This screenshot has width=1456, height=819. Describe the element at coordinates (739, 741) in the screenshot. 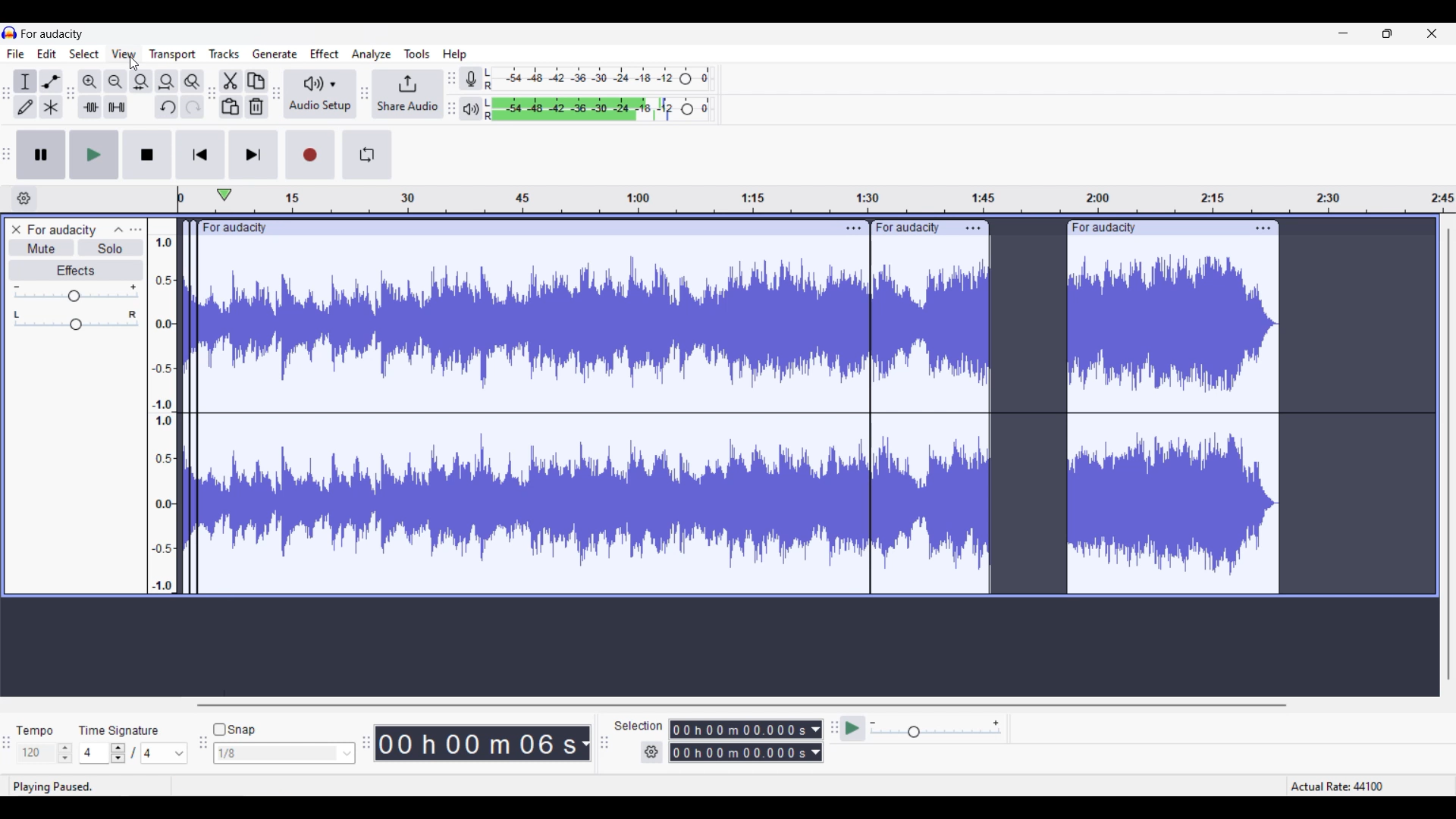

I see `Selection duration` at that location.